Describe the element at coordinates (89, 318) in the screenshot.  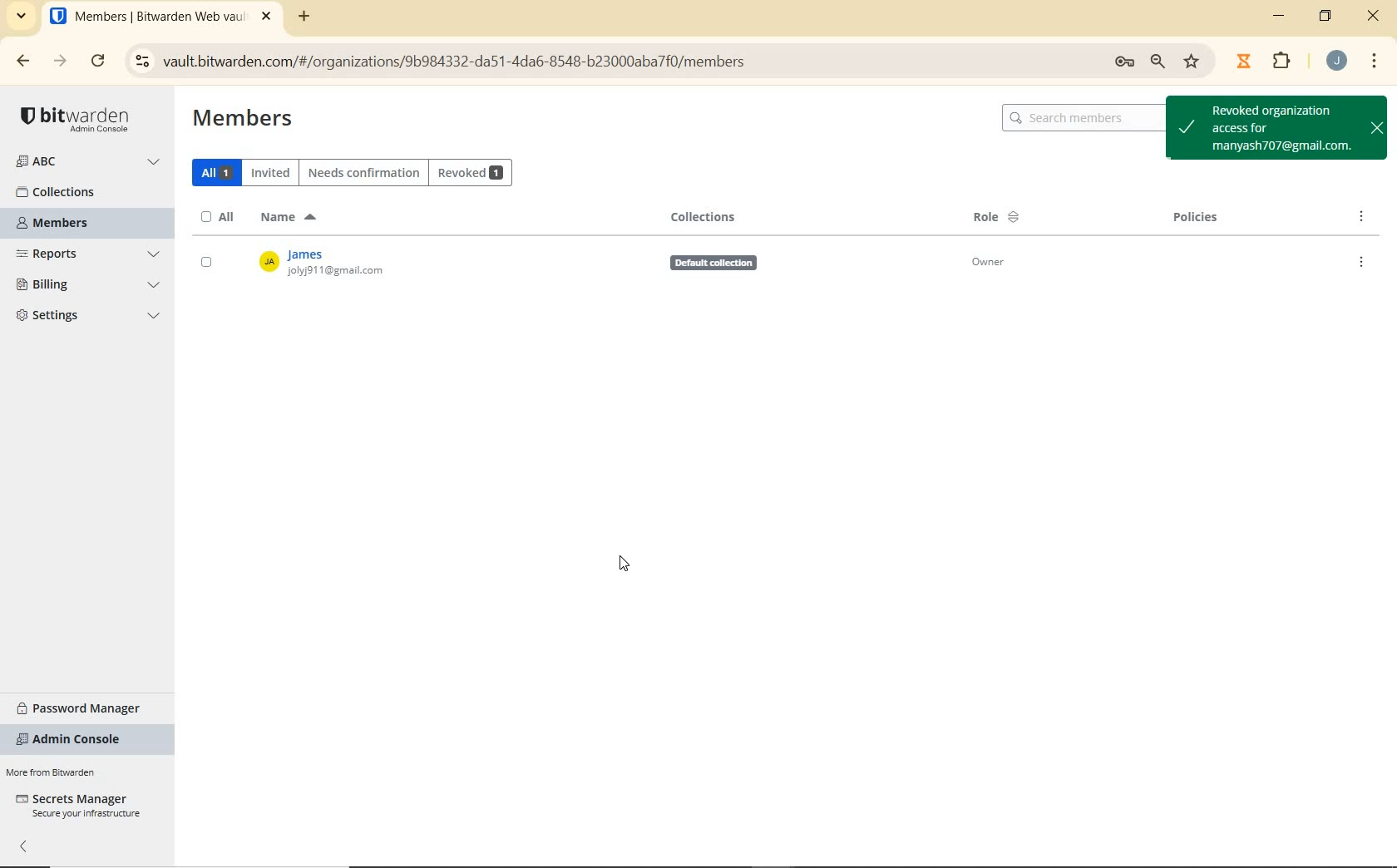
I see `SETTINGS` at that location.